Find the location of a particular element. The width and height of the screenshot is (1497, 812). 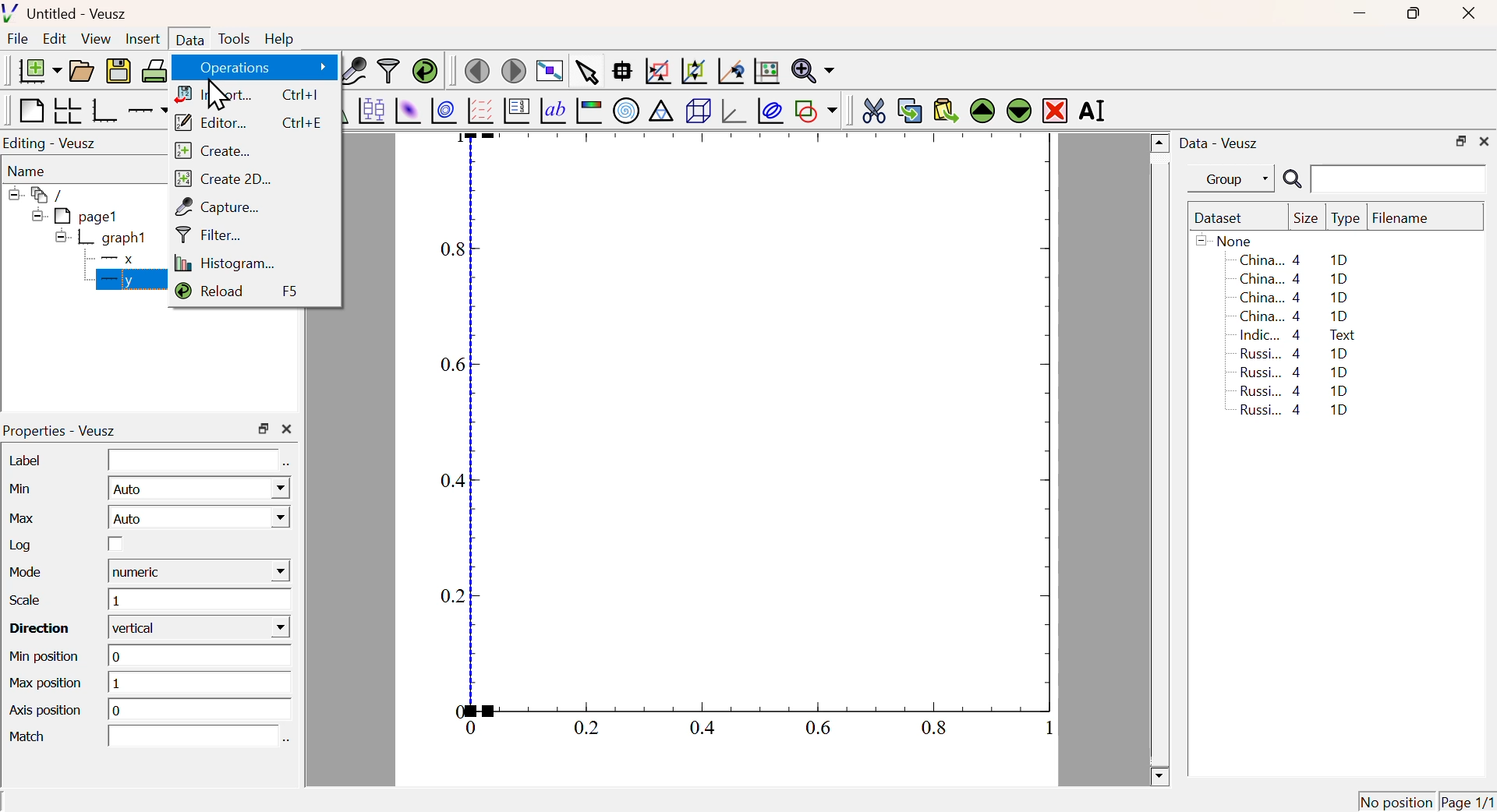

Restore Down is located at coordinates (1460, 142).